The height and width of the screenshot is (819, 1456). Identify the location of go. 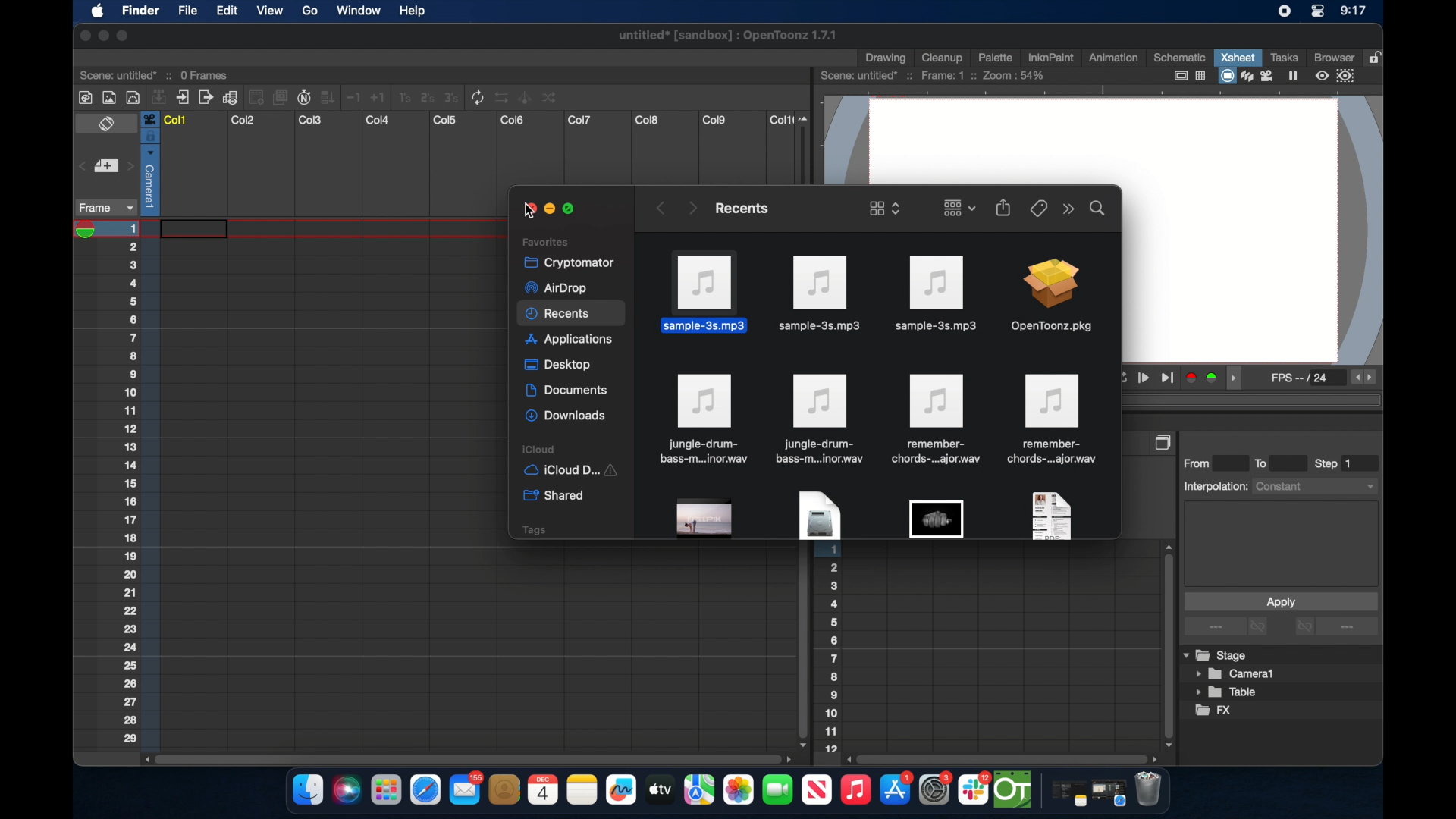
(309, 11).